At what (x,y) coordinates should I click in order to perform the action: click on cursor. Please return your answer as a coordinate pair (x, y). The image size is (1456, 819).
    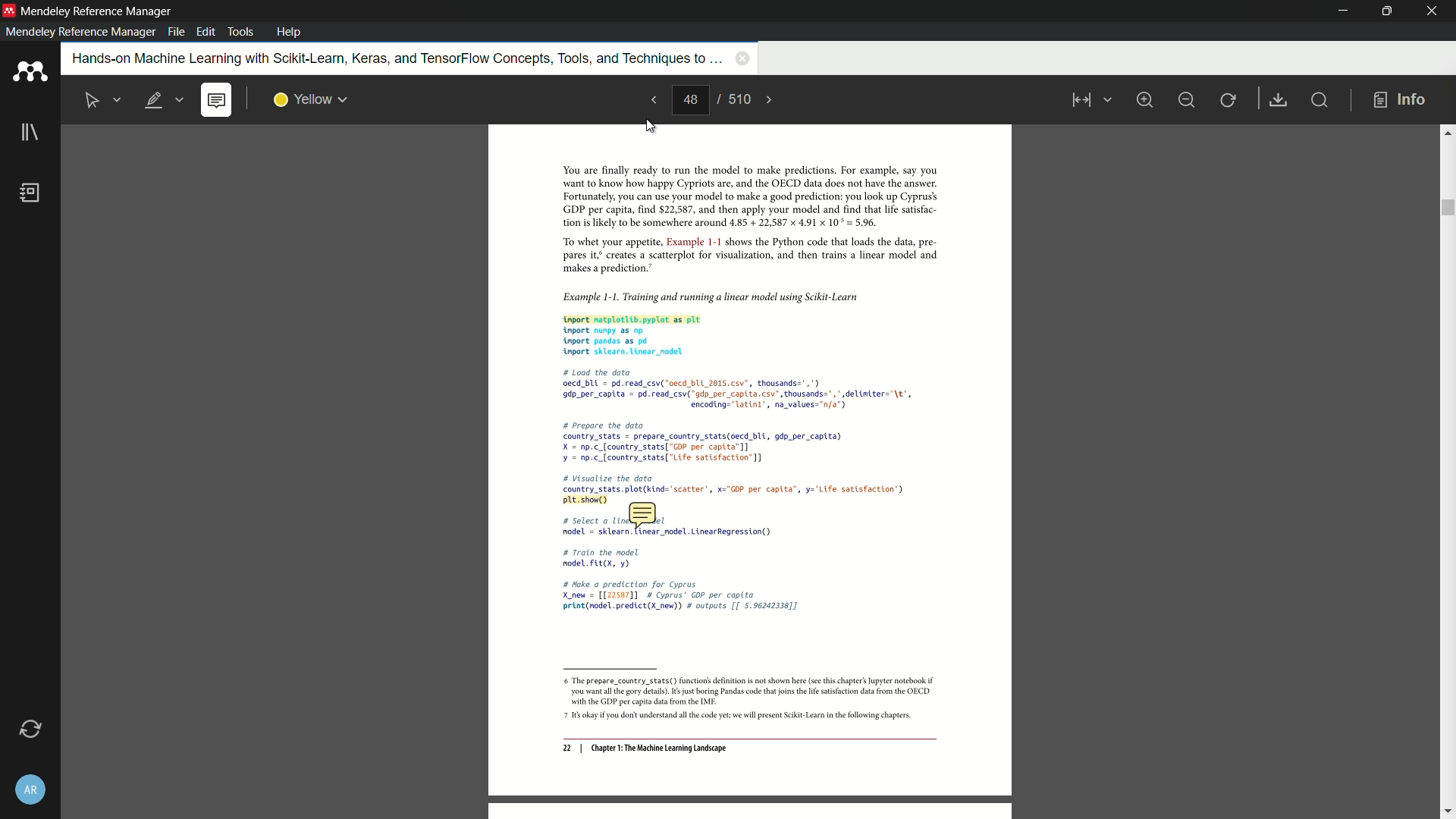
    Looking at the image, I should click on (648, 128).